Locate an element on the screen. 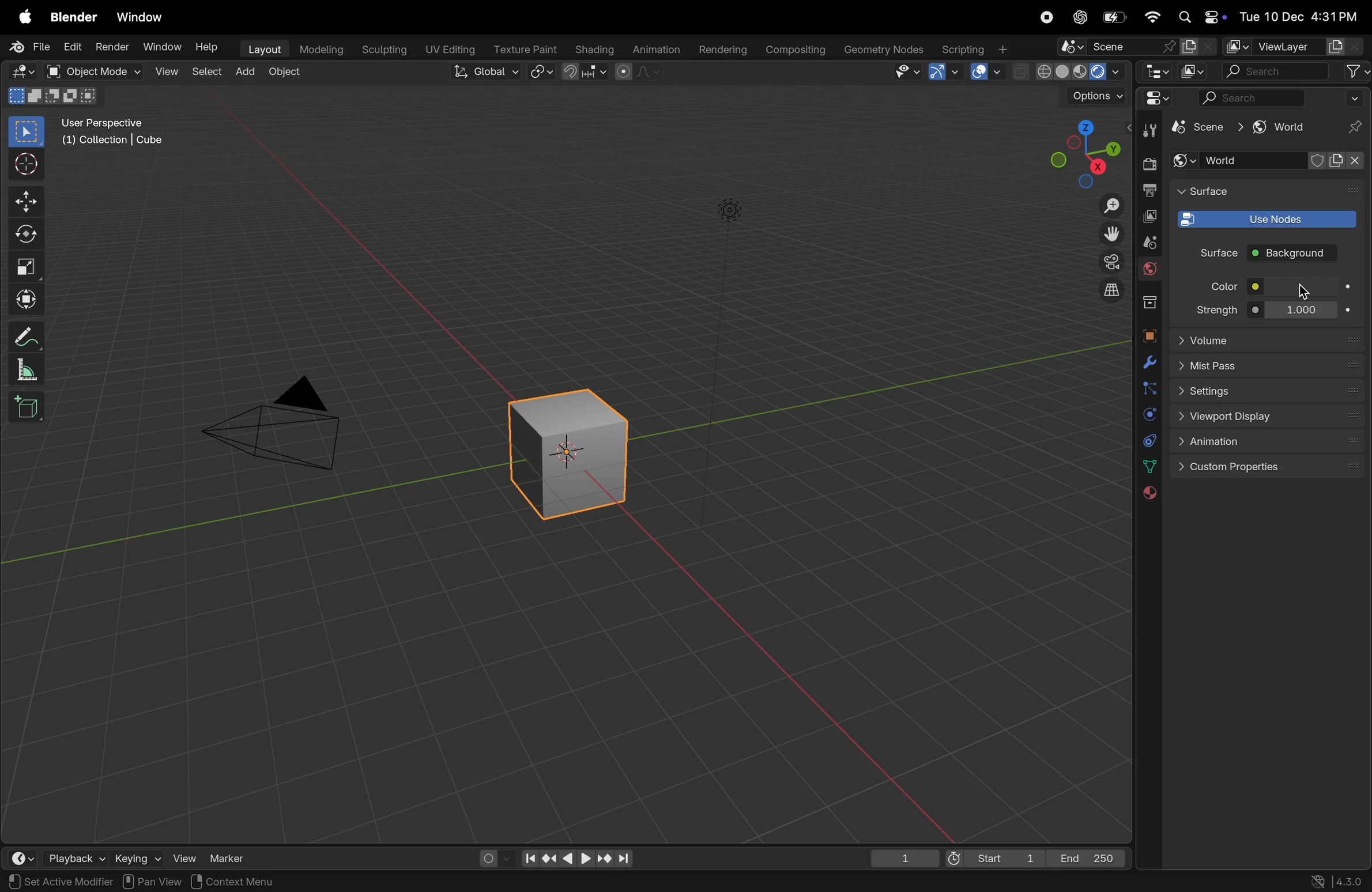 This screenshot has height=892, width=1372. Global is located at coordinates (487, 73).